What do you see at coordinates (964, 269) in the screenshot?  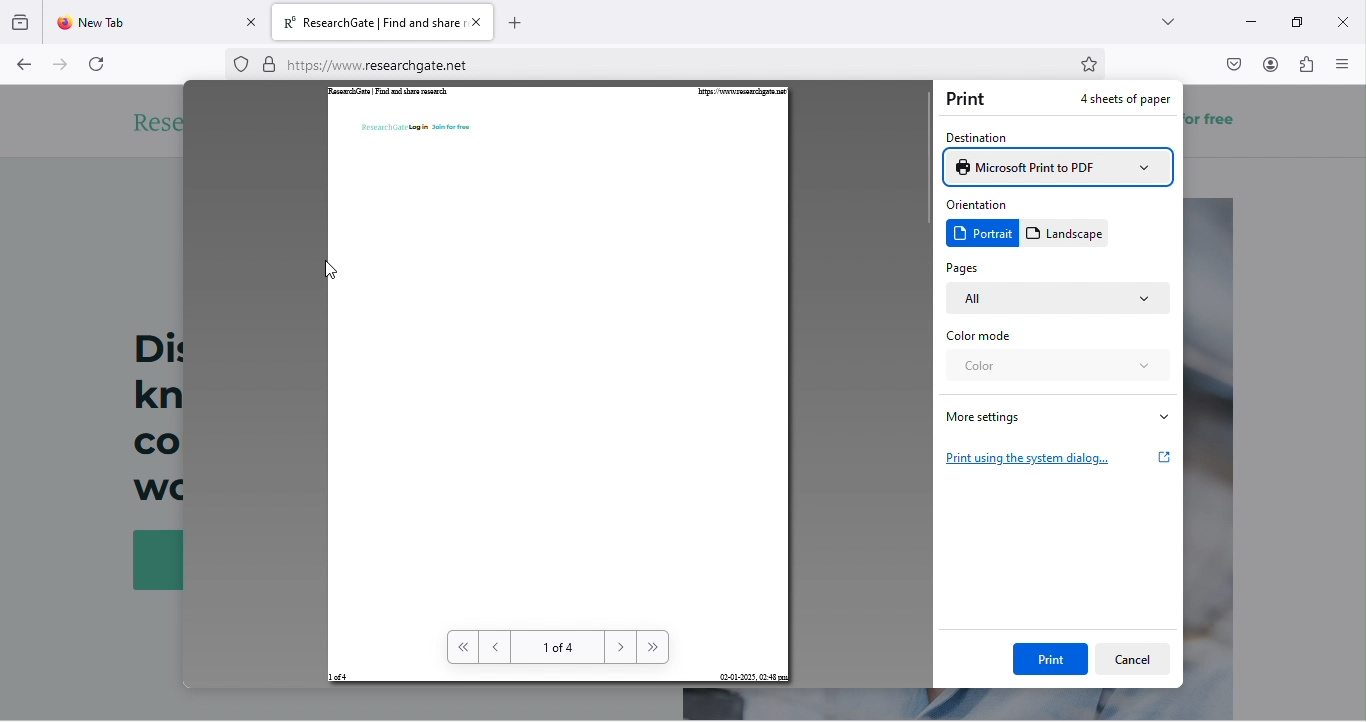 I see `pages` at bounding box center [964, 269].